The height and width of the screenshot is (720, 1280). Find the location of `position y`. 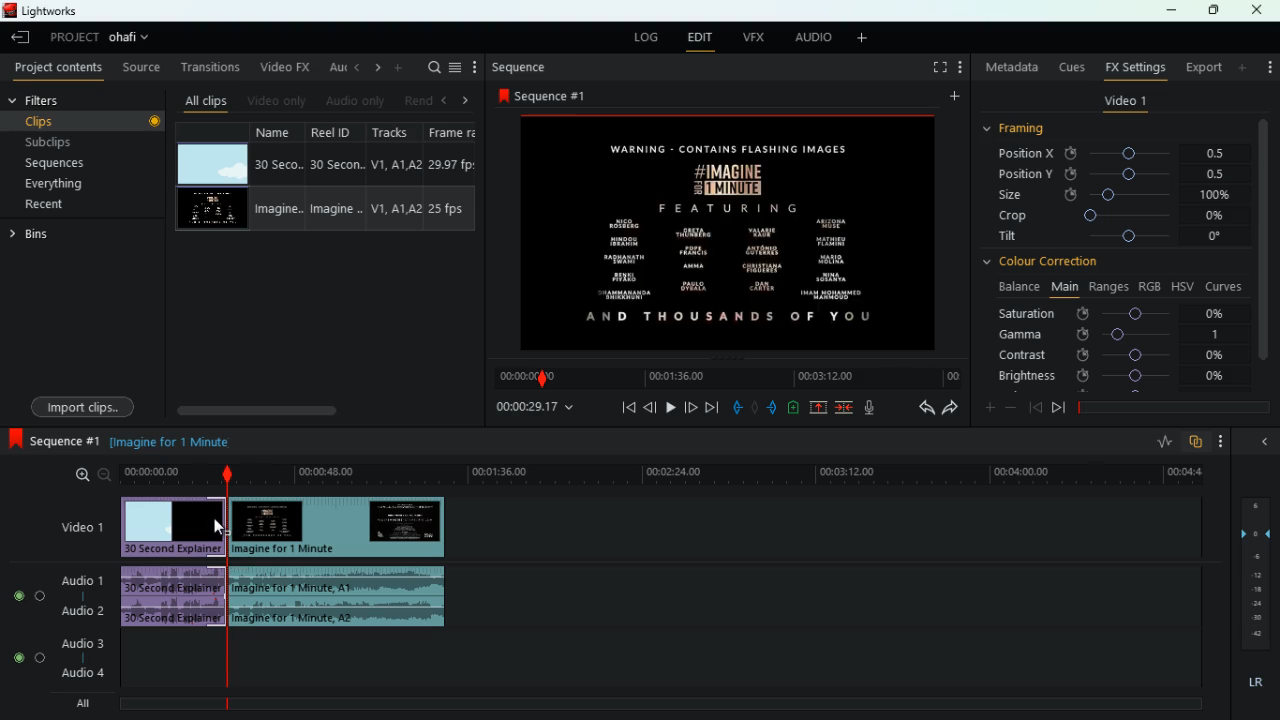

position y is located at coordinates (1121, 173).